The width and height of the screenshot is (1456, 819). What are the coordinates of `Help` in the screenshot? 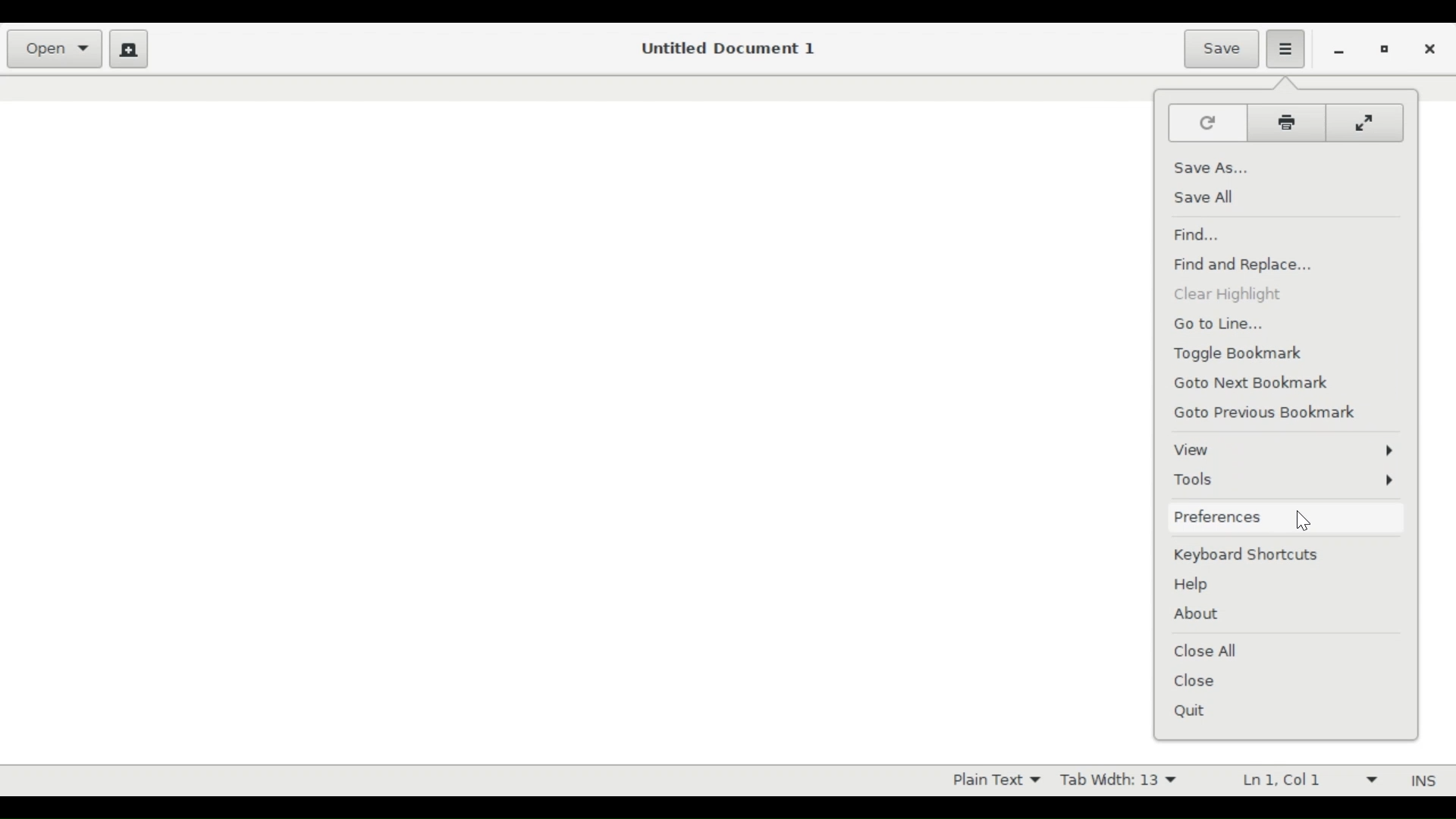 It's located at (1195, 585).